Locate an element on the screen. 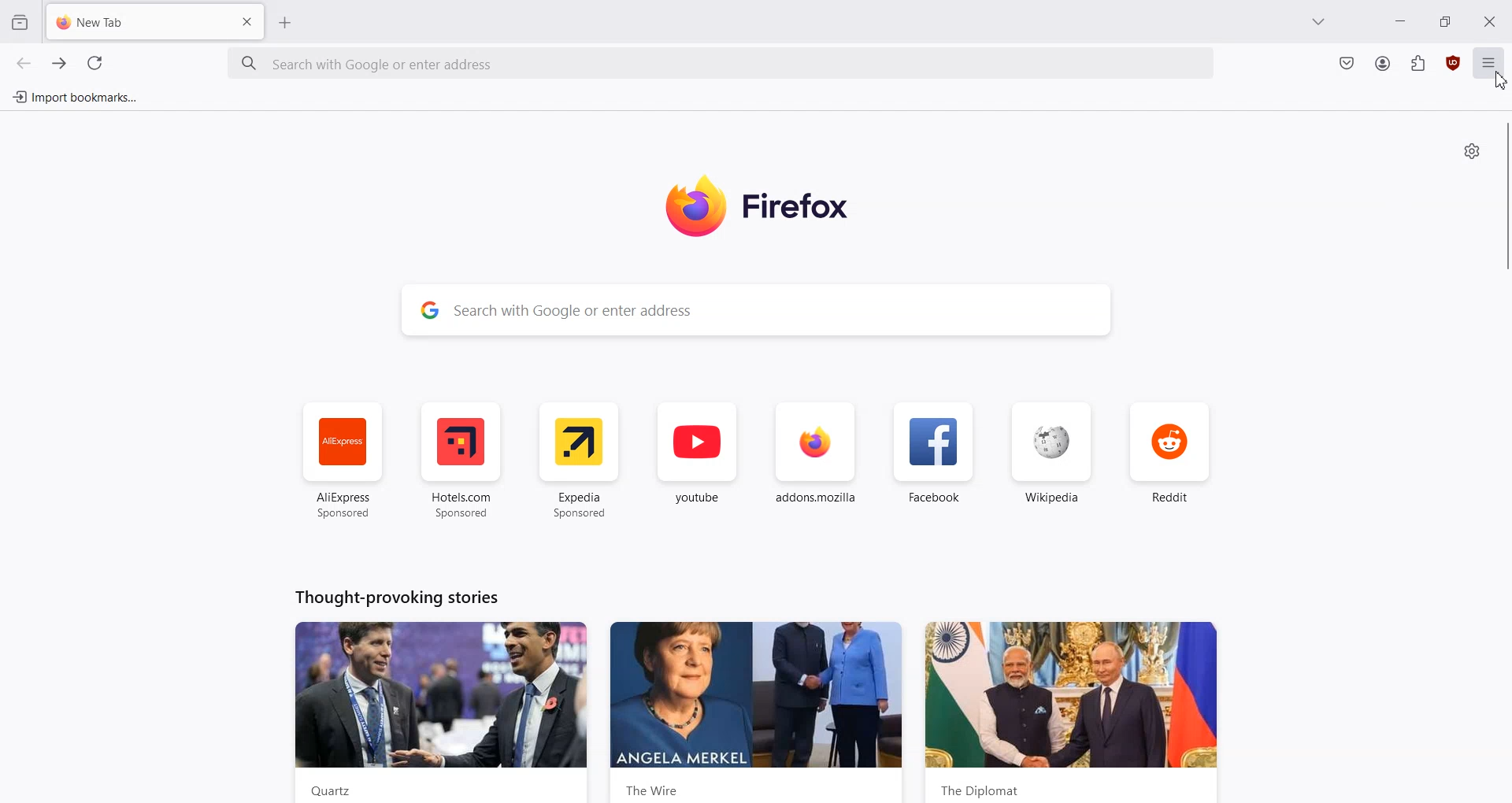  Personalize new Tab is located at coordinates (1471, 150).